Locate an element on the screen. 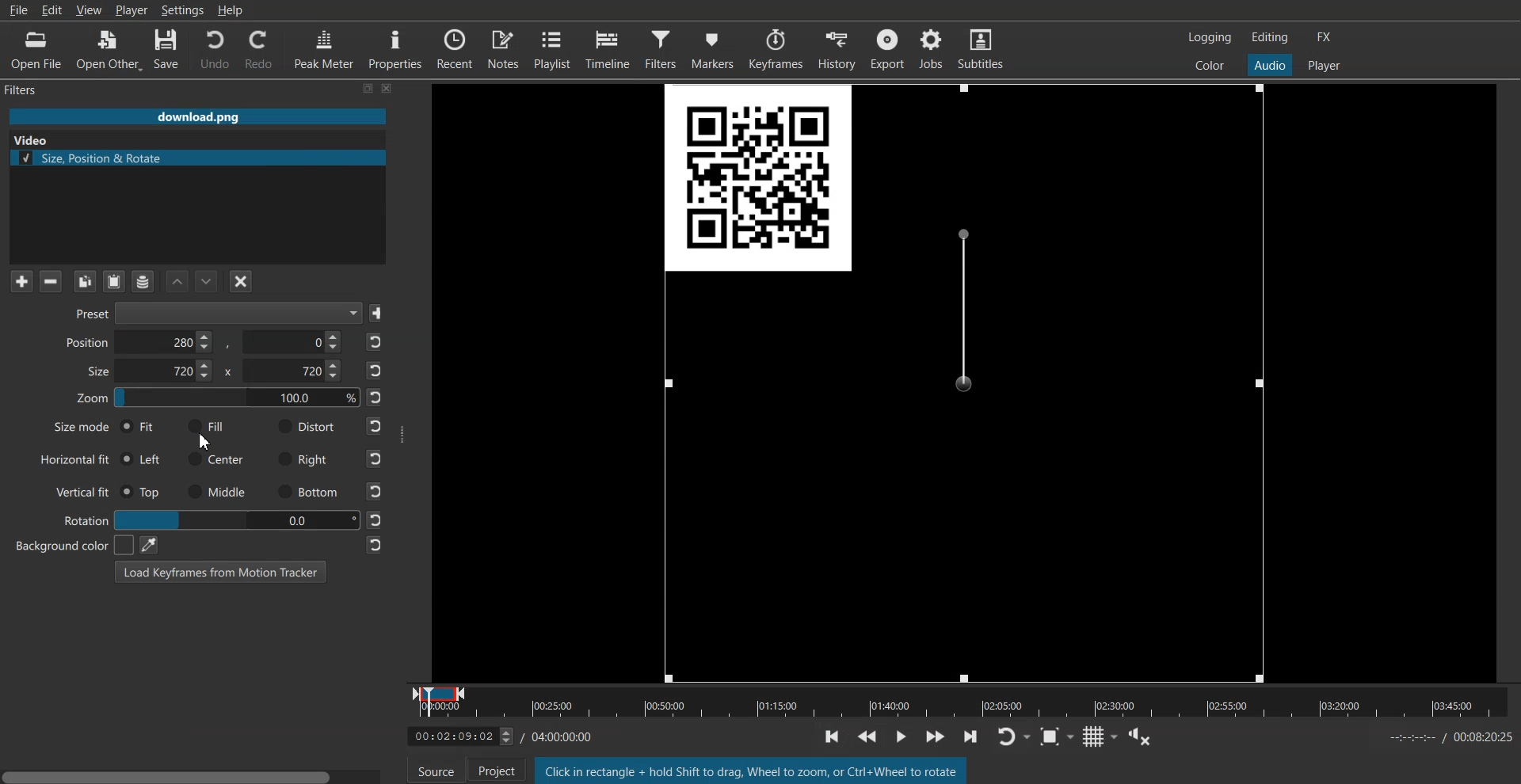 Image resolution: width=1521 pixels, height=784 pixels. Time Sheet is located at coordinates (1450, 737).